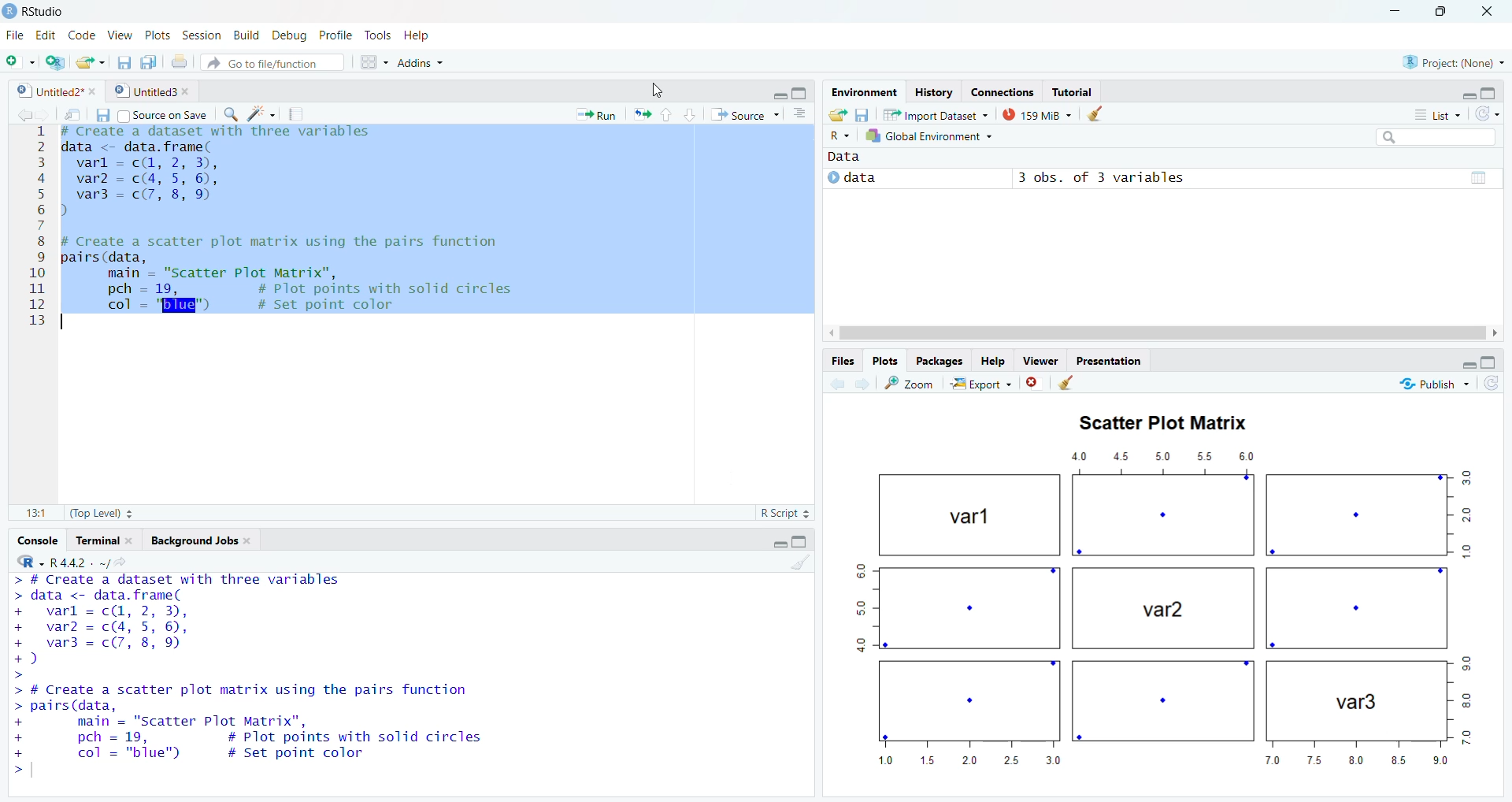 The width and height of the screenshot is (1512, 802). What do you see at coordinates (102, 514) in the screenshot?
I see `(Top Level) ` at bounding box center [102, 514].